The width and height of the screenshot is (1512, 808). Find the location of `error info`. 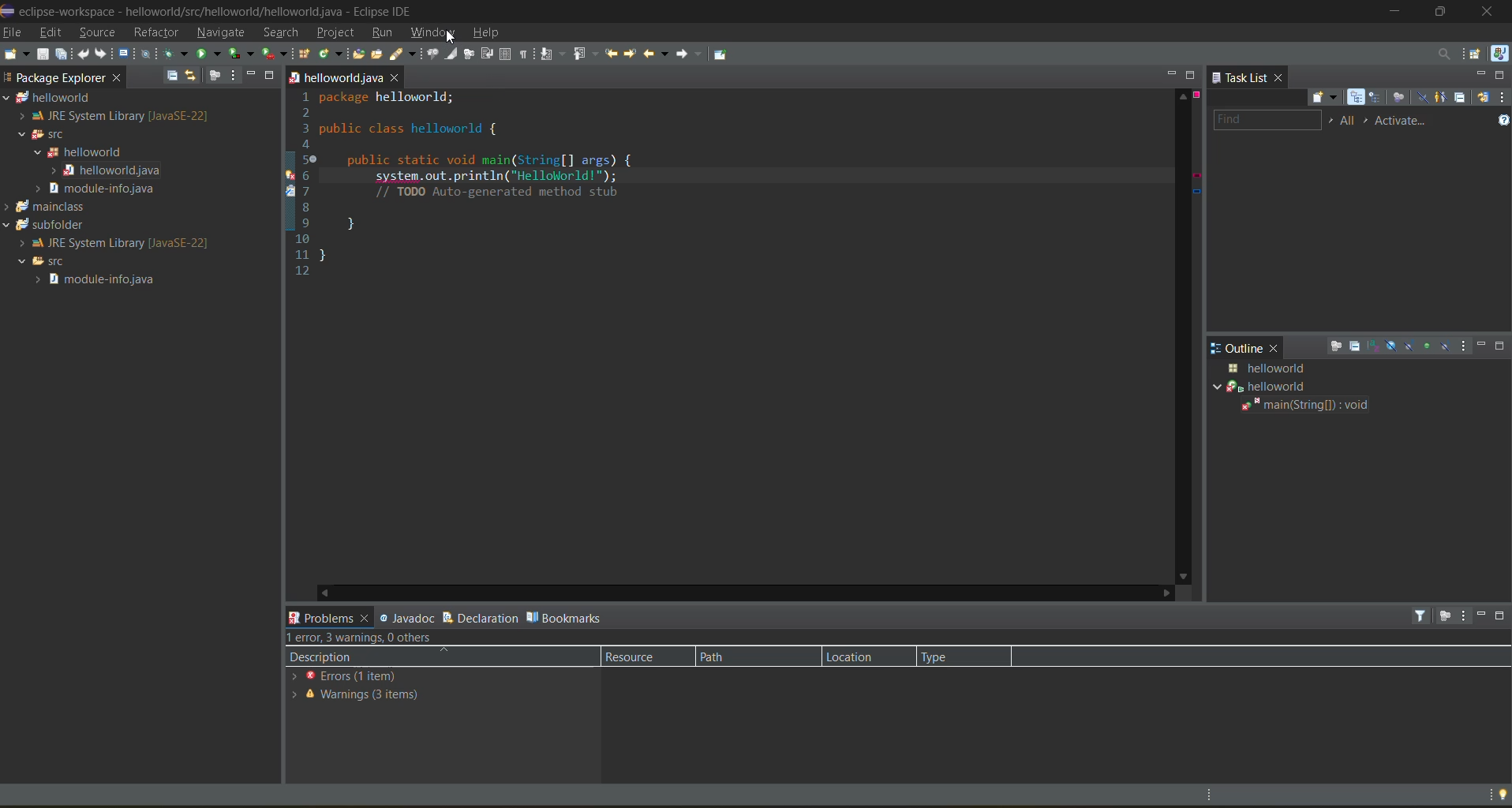

error info is located at coordinates (1195, 151).